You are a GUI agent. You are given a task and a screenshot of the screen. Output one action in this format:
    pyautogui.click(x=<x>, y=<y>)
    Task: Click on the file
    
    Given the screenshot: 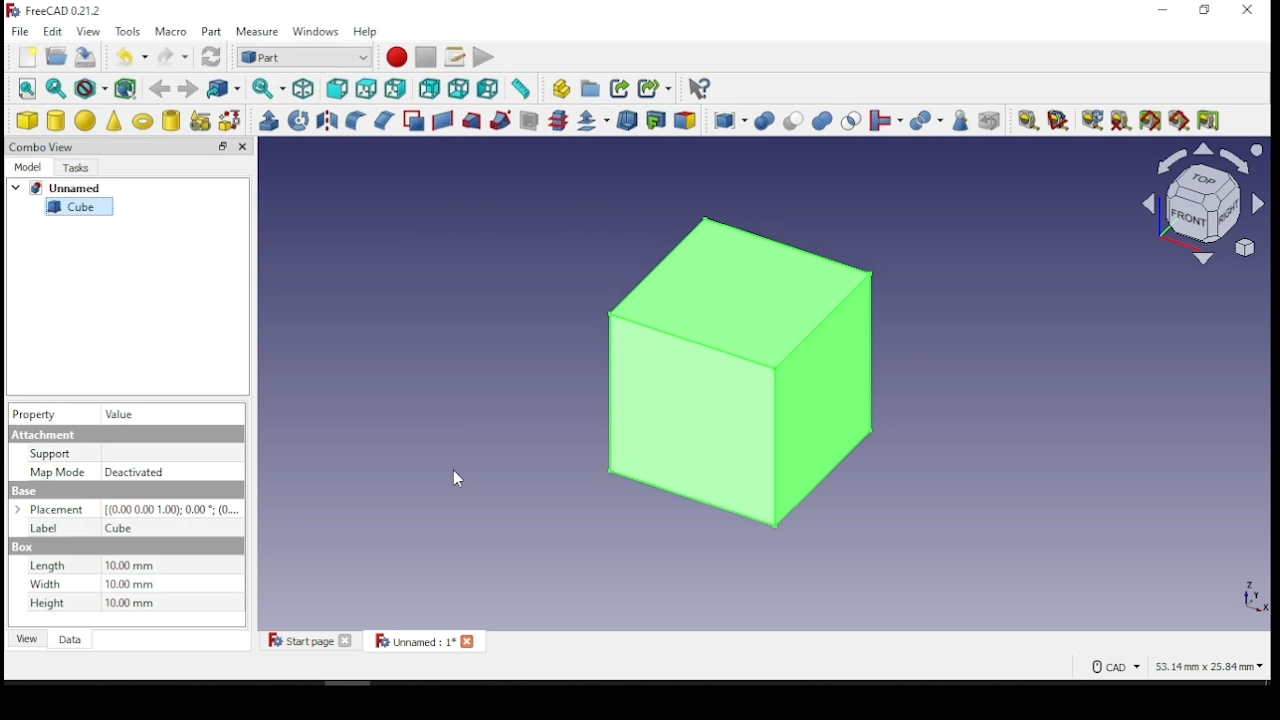 What is the action you would take?
    pyautogui.click(x=21, y=31)
    